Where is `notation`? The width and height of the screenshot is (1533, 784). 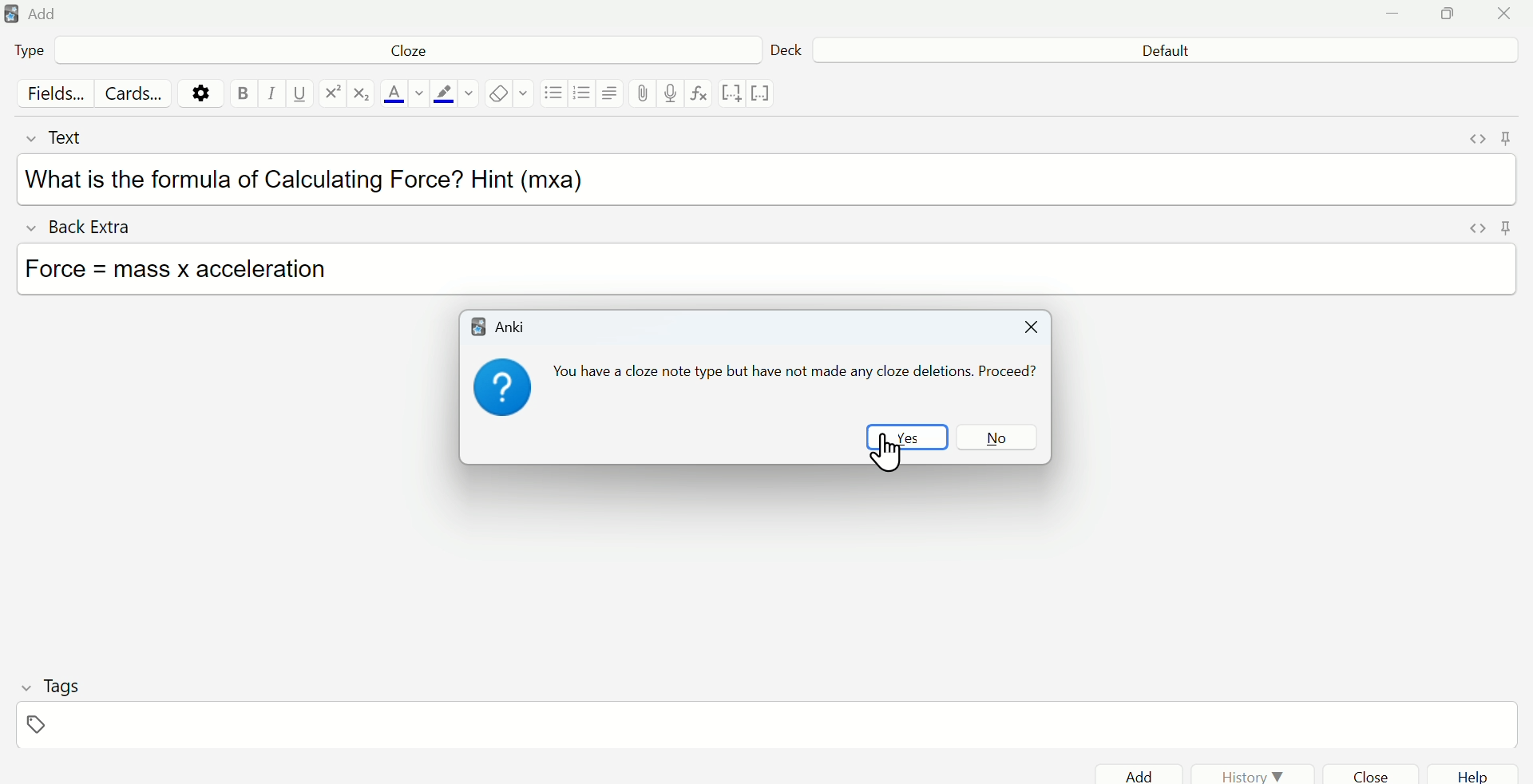 notation is located at coordinates (731, 96).